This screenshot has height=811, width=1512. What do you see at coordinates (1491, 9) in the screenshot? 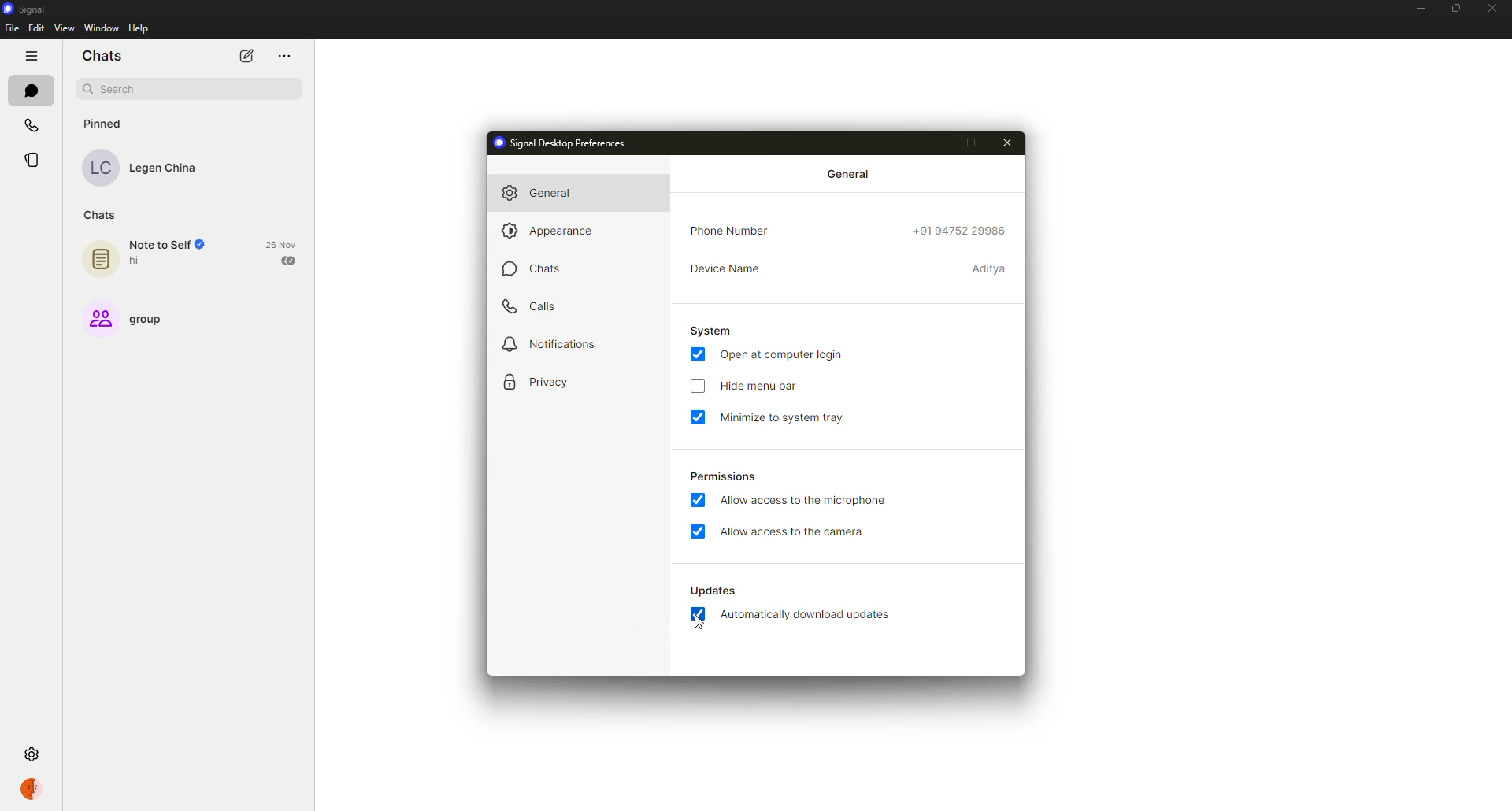
I see `close` at bounding box center [1491, 9].